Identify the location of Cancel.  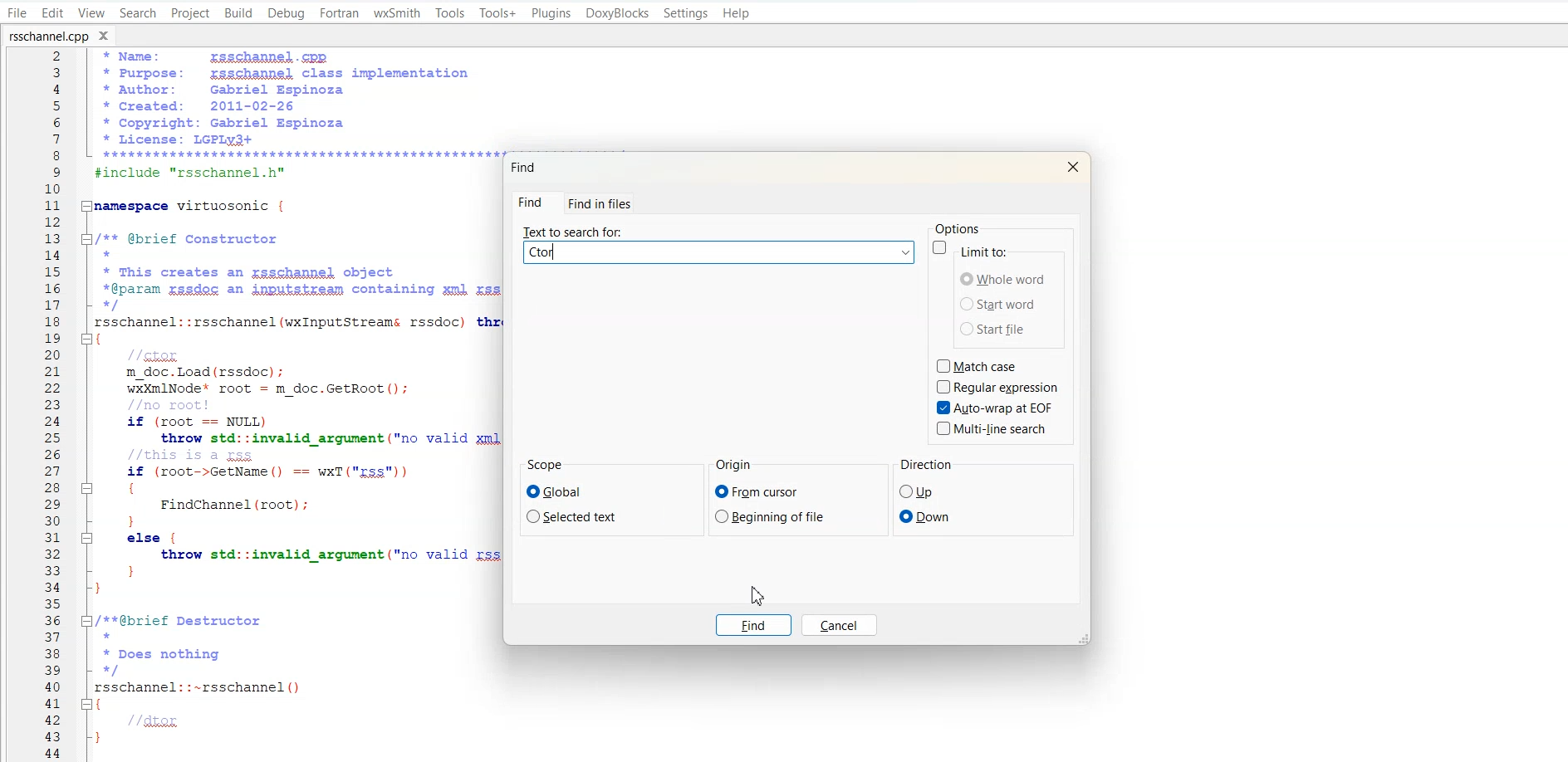
(840, 625).